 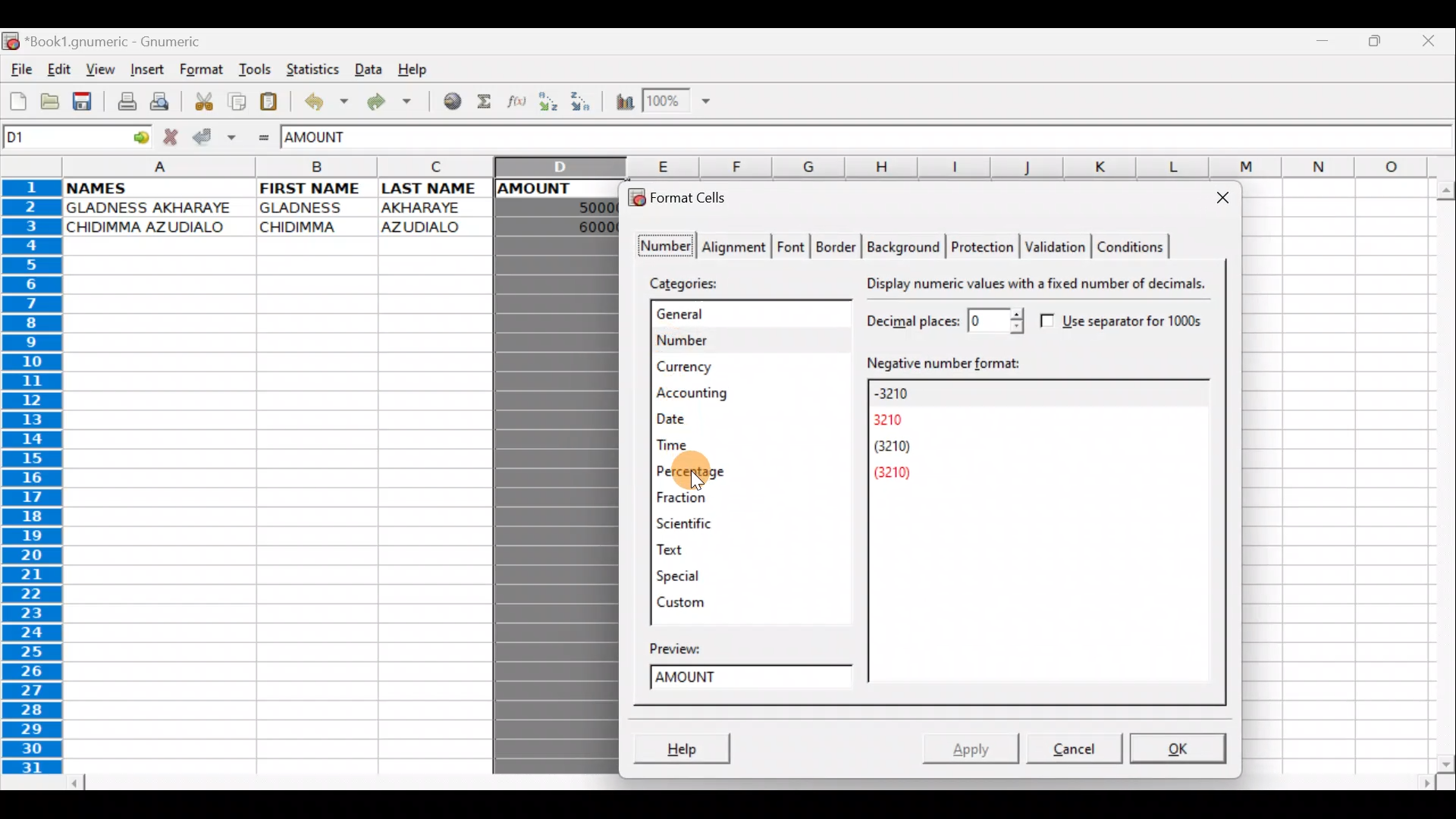 I want to click on Save current workbook, so click(x=82, y=101).